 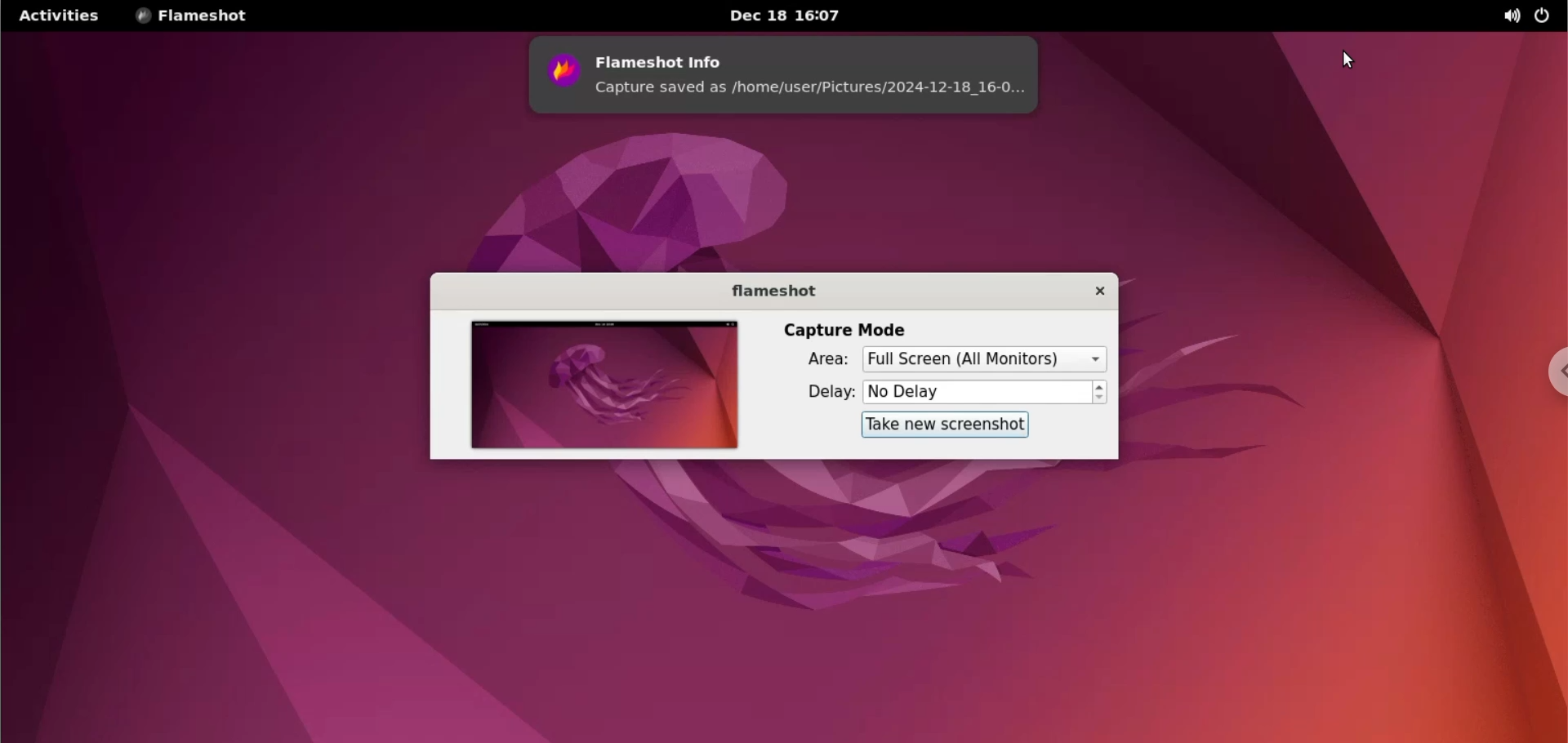 What do you see at coordinates (1348, 60) in the screenshot?
I see `cursor` at bounding box center [1348, 60].